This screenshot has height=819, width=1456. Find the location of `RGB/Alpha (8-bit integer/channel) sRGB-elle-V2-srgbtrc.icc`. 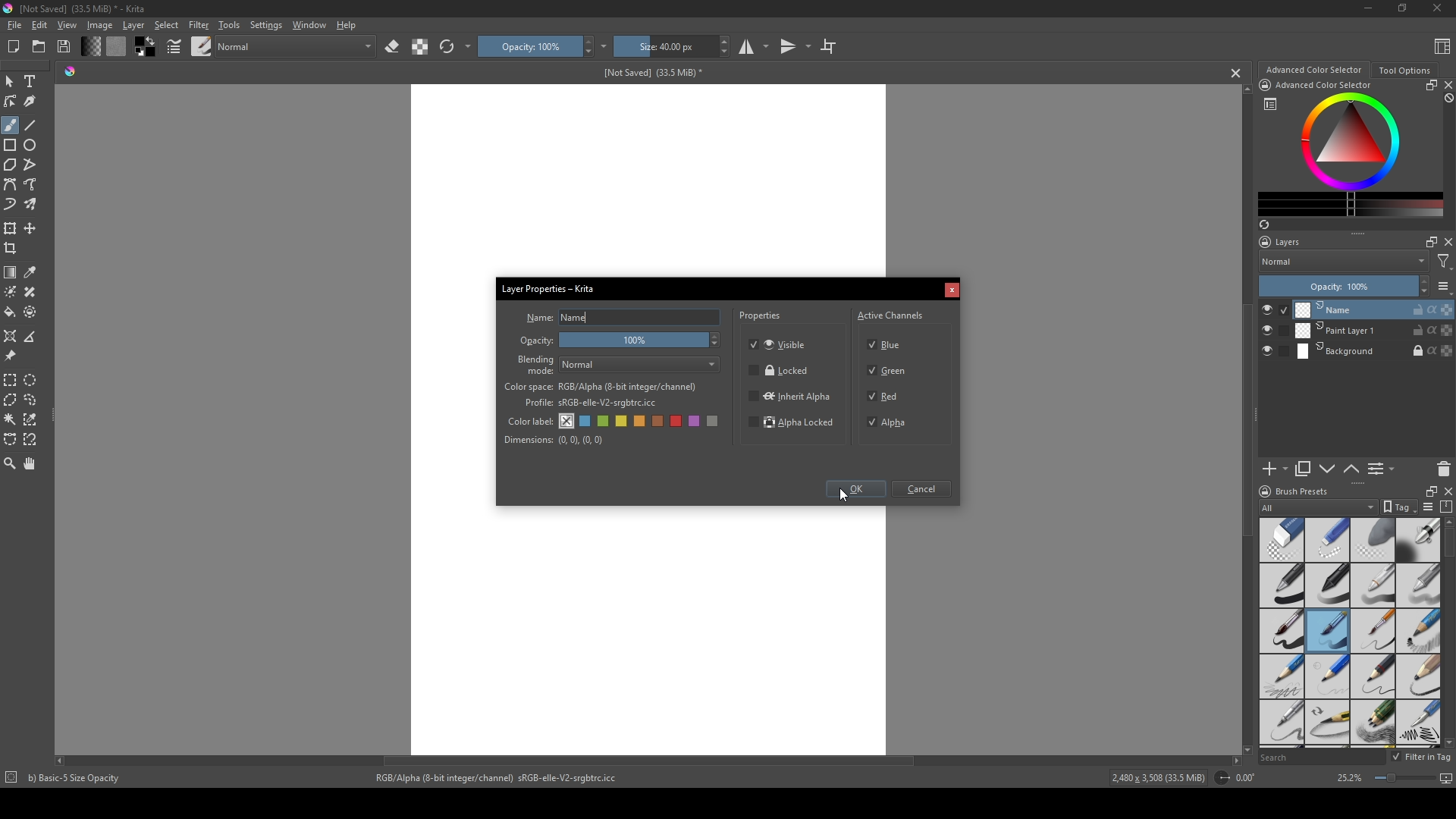

RGB/Alpha (8-bit integer/channel) sRGB-elle-V2-srgbtrc.icc is located at coordinates (503, 778).